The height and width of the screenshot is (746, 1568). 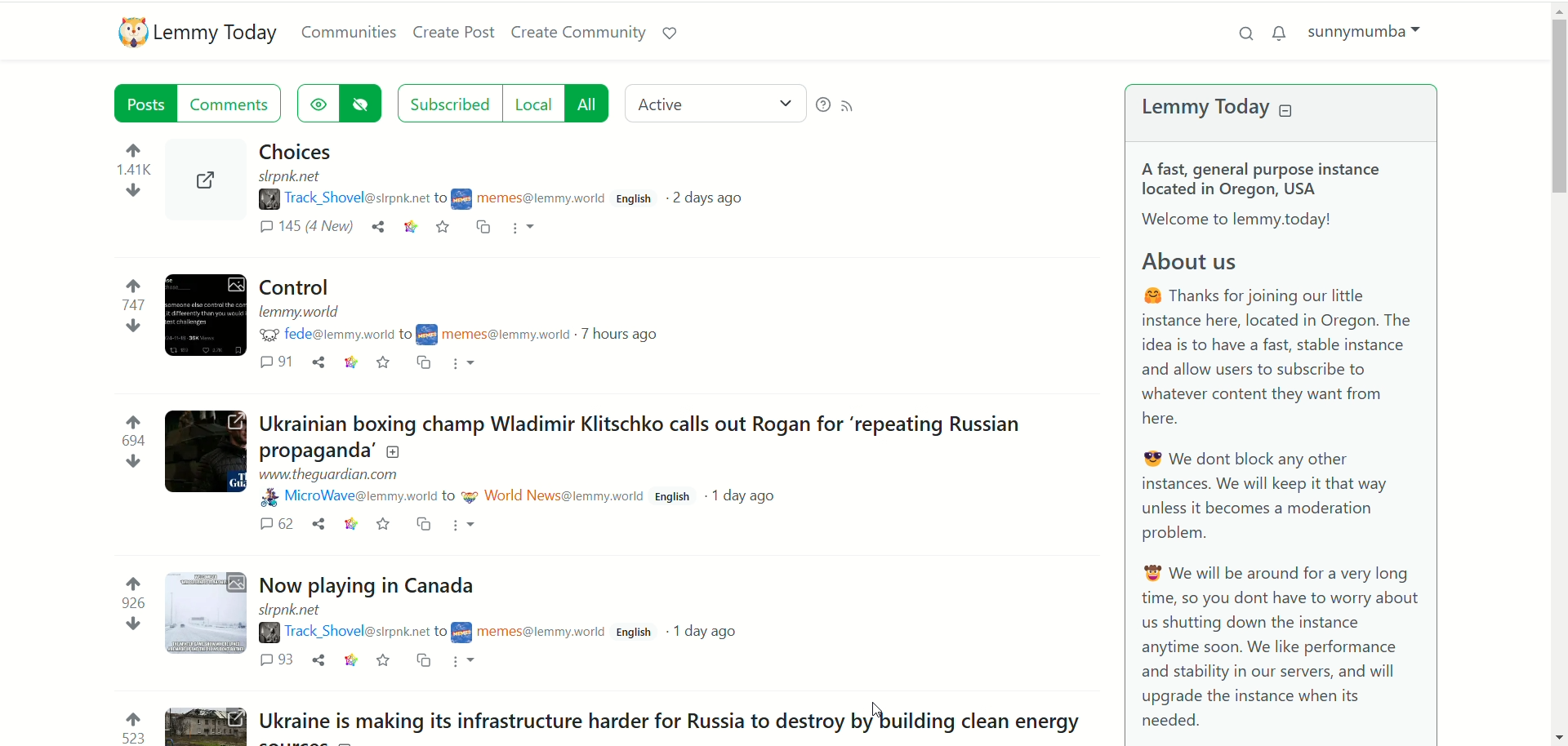 I want to click on 1 day ago, so click(x=742, y=496).